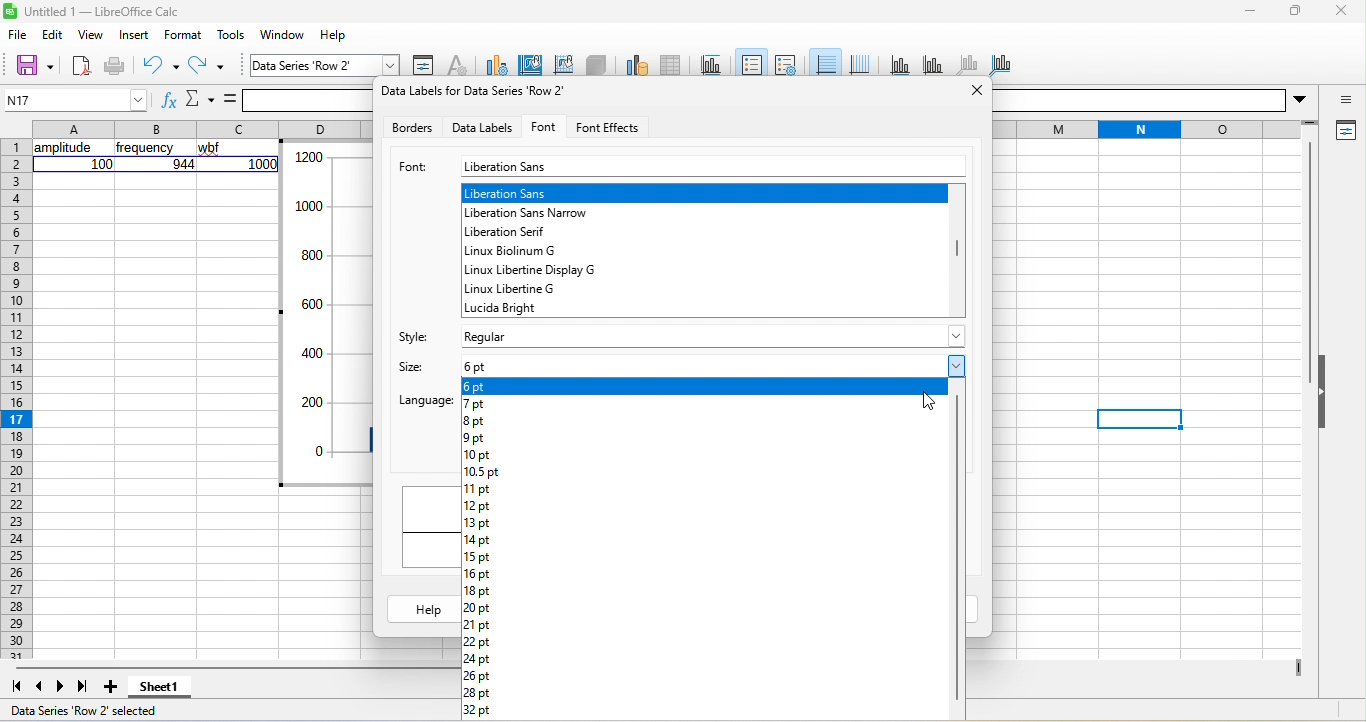 The image size is (1366, 722). What do you see at coordinates (1248, 10) in the screenshot?
I see `minimize` at bounding box center [1248, 10].